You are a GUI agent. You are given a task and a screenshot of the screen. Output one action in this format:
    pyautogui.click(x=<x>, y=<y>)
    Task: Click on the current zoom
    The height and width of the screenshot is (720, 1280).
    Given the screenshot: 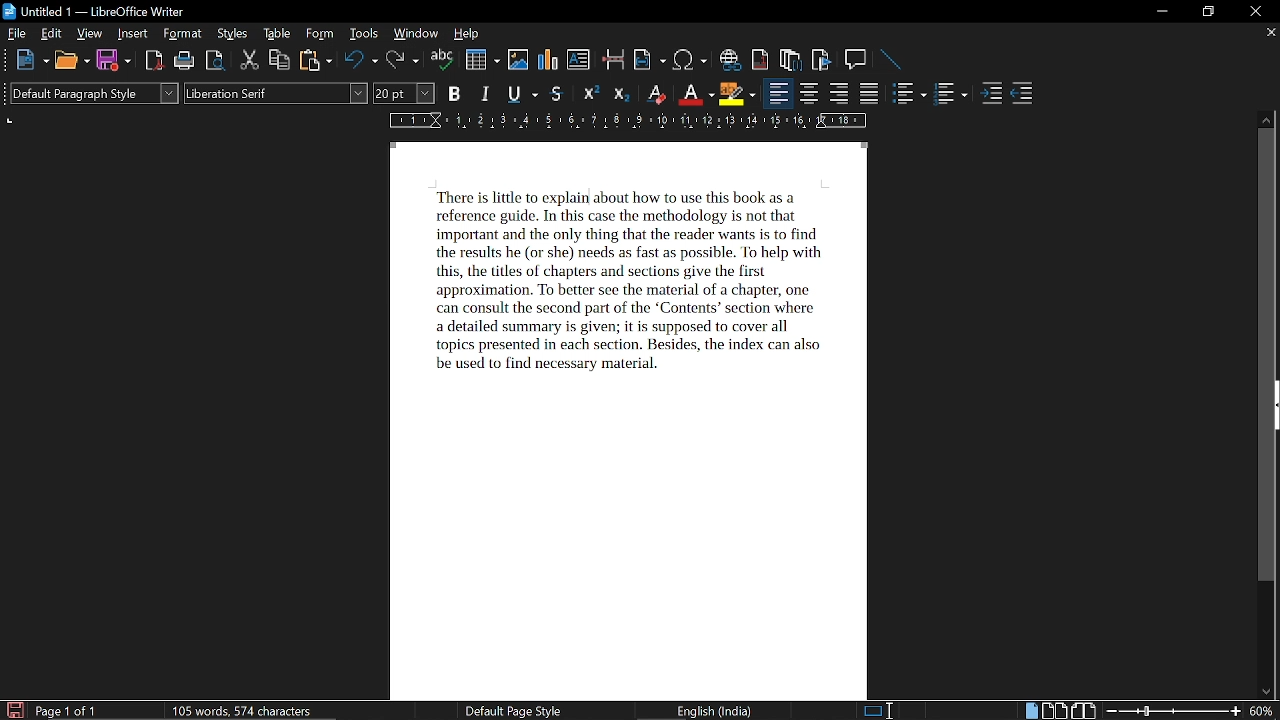 What is the action you would take?
    pyautogui.click(x=1263, y=711)
    